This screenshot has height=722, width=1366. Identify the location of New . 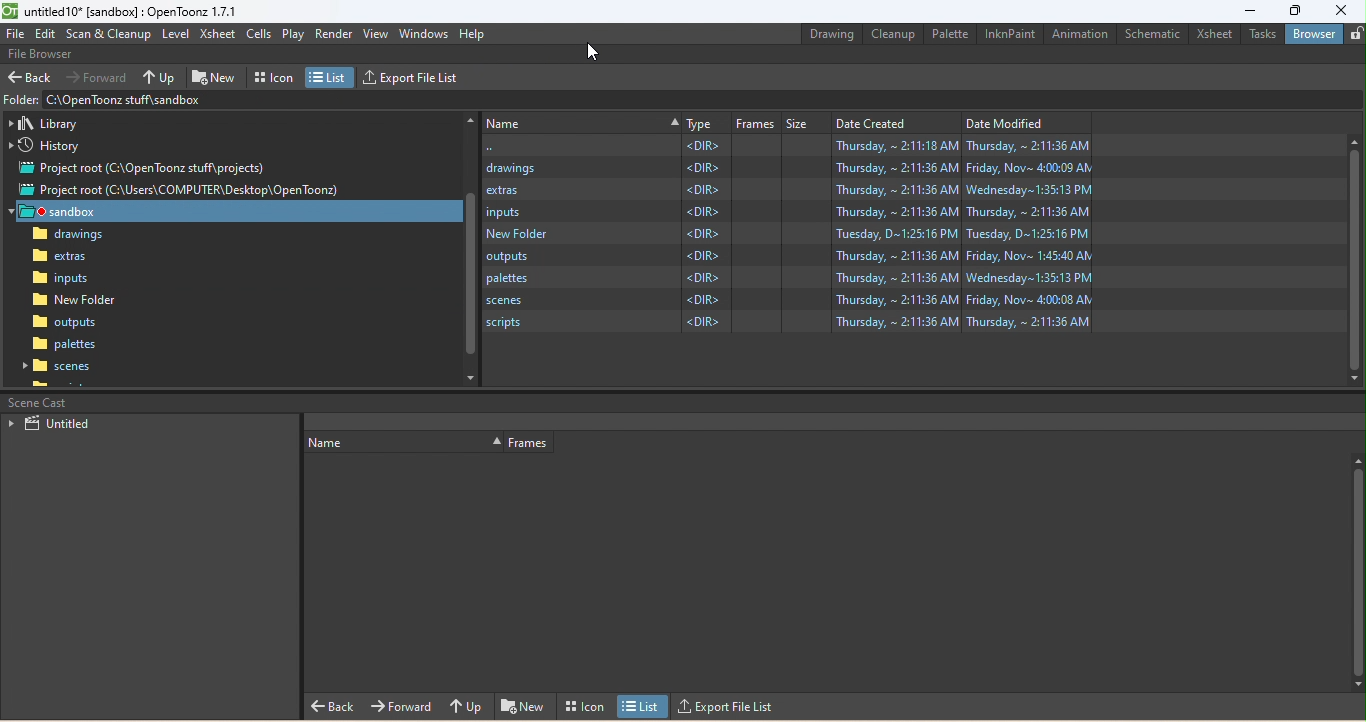
(523, 705).